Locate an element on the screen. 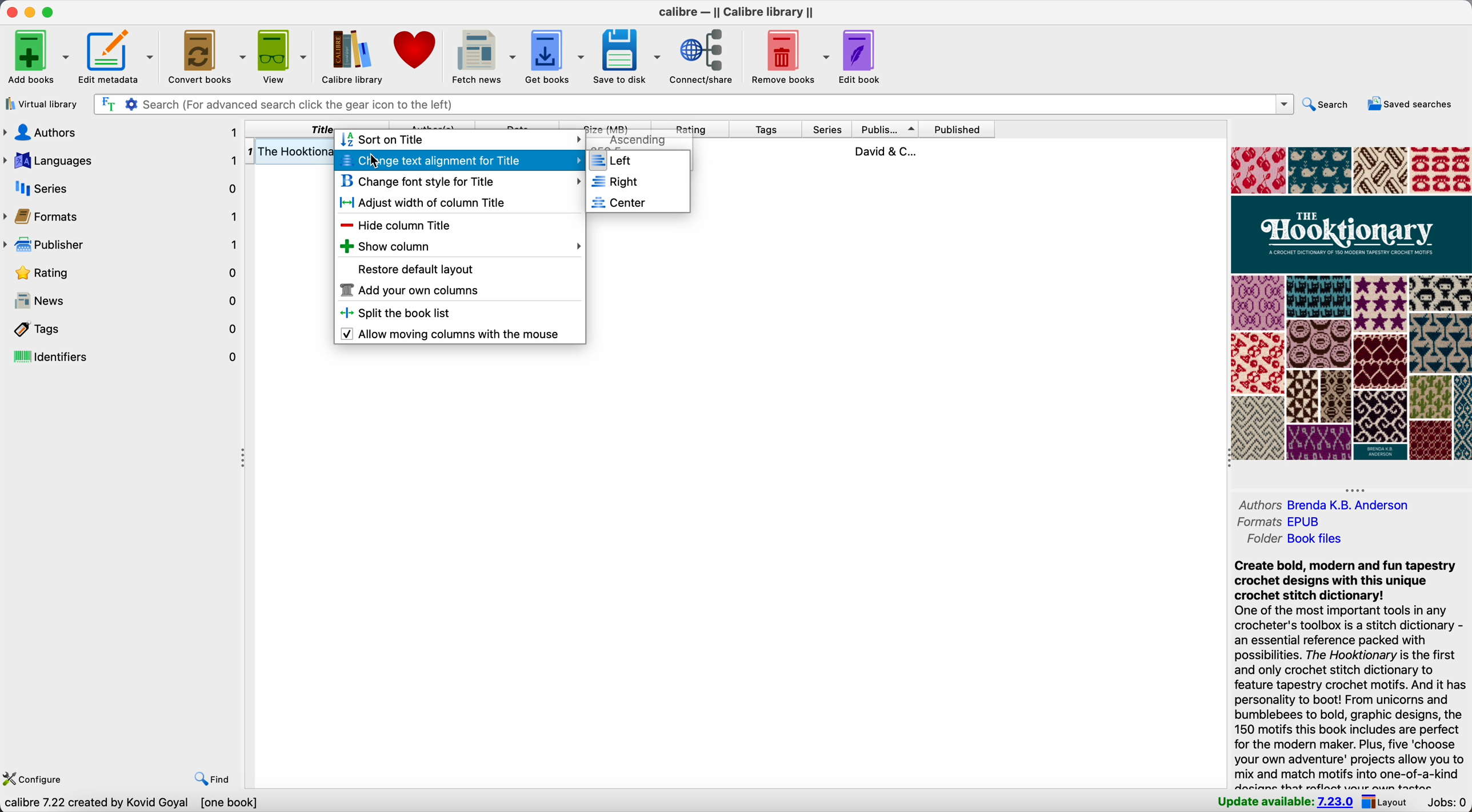 The height and width of the screenshot is (812, 1472). authors is located at coordinates (121, 132).